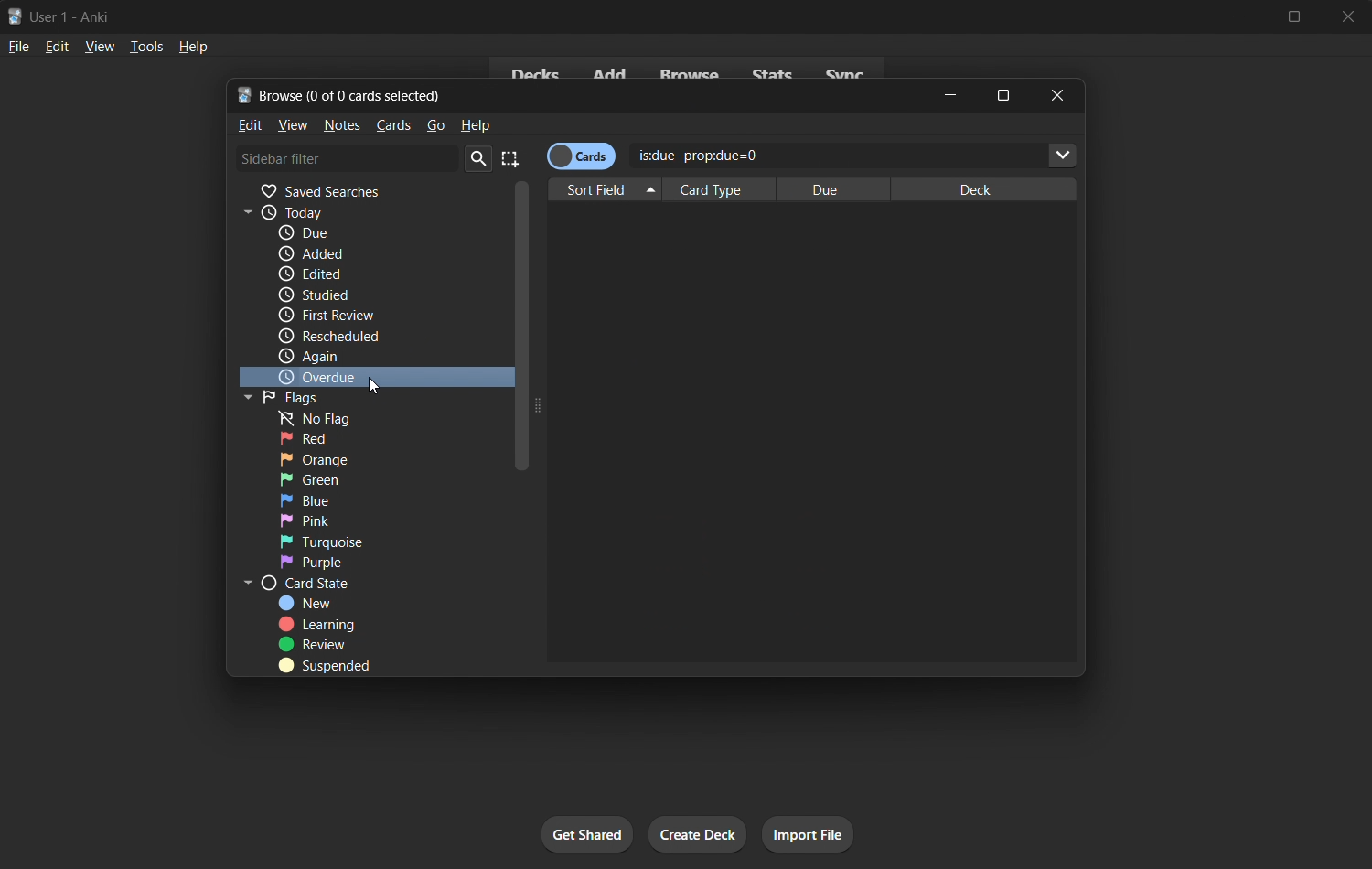 Image resolution: width=1372 pixels, height=869 pixels. I want to click on maximize/restore, so click(1295, 16).